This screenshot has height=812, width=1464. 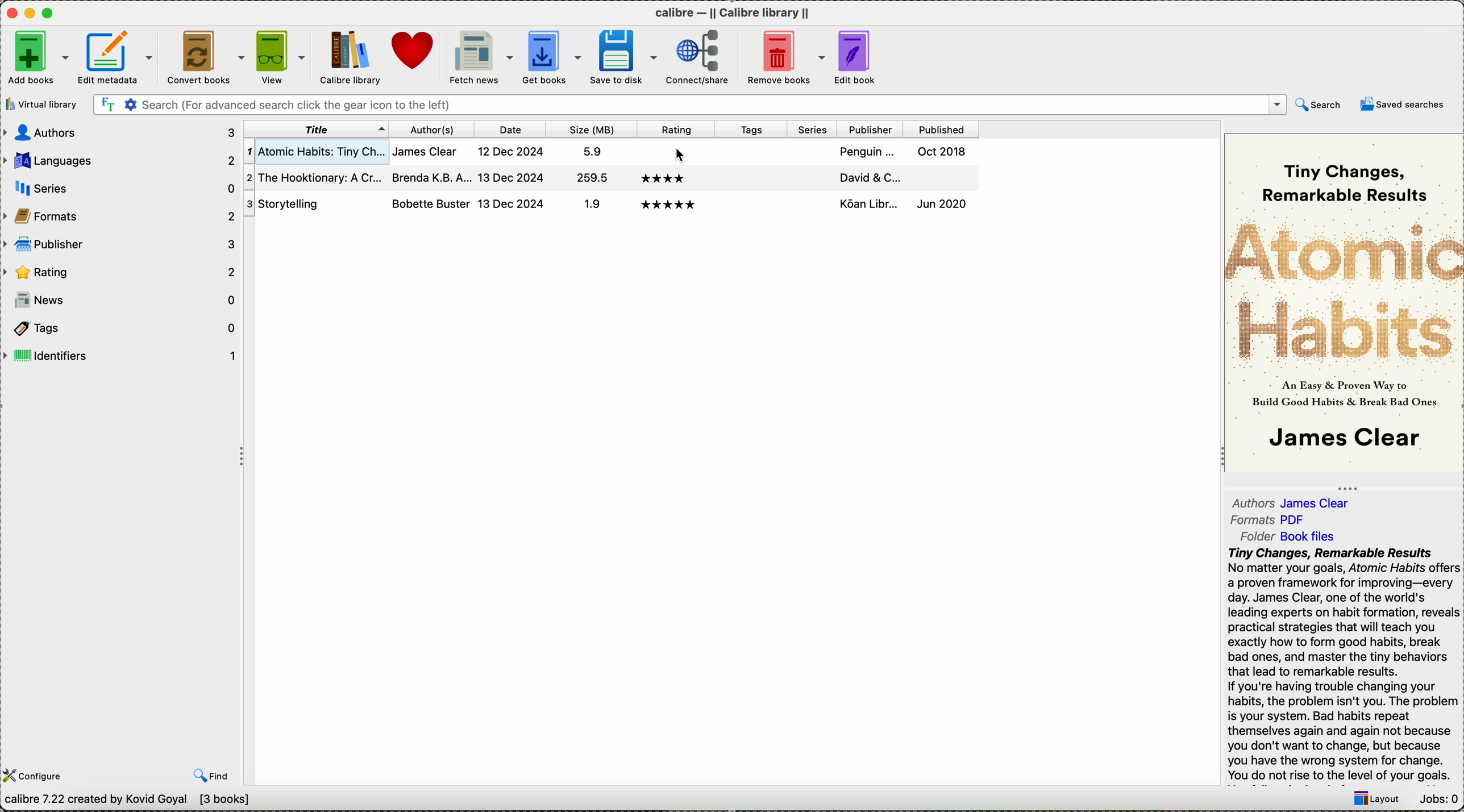 What do you see at coordinates (754, 150) in the screenshot?
I see `tags` at bounding box center [754, 150].